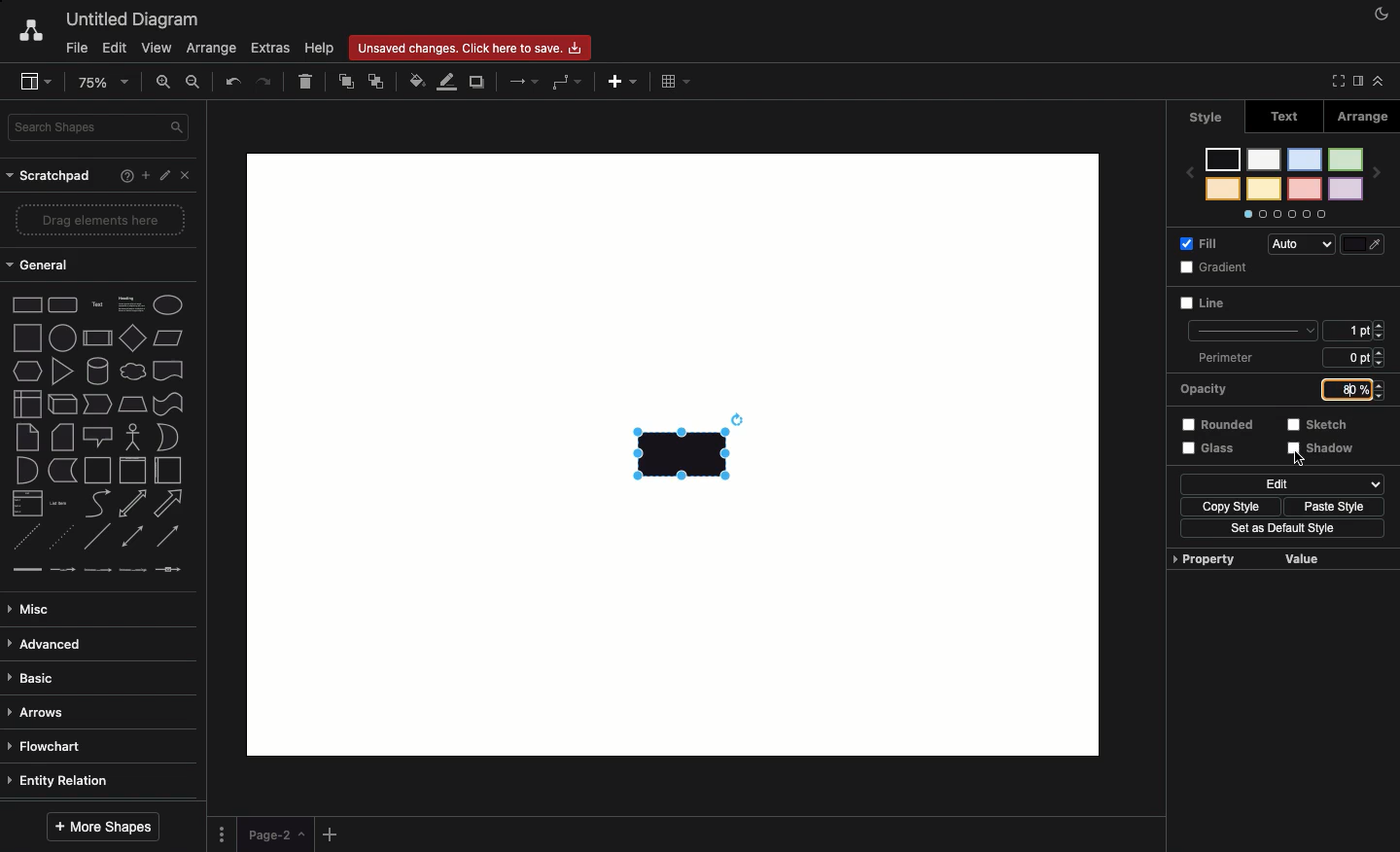 Image resolution: width=1400 pixels, height=852 pixels. I want to click on Fill, so click(1366, 243).